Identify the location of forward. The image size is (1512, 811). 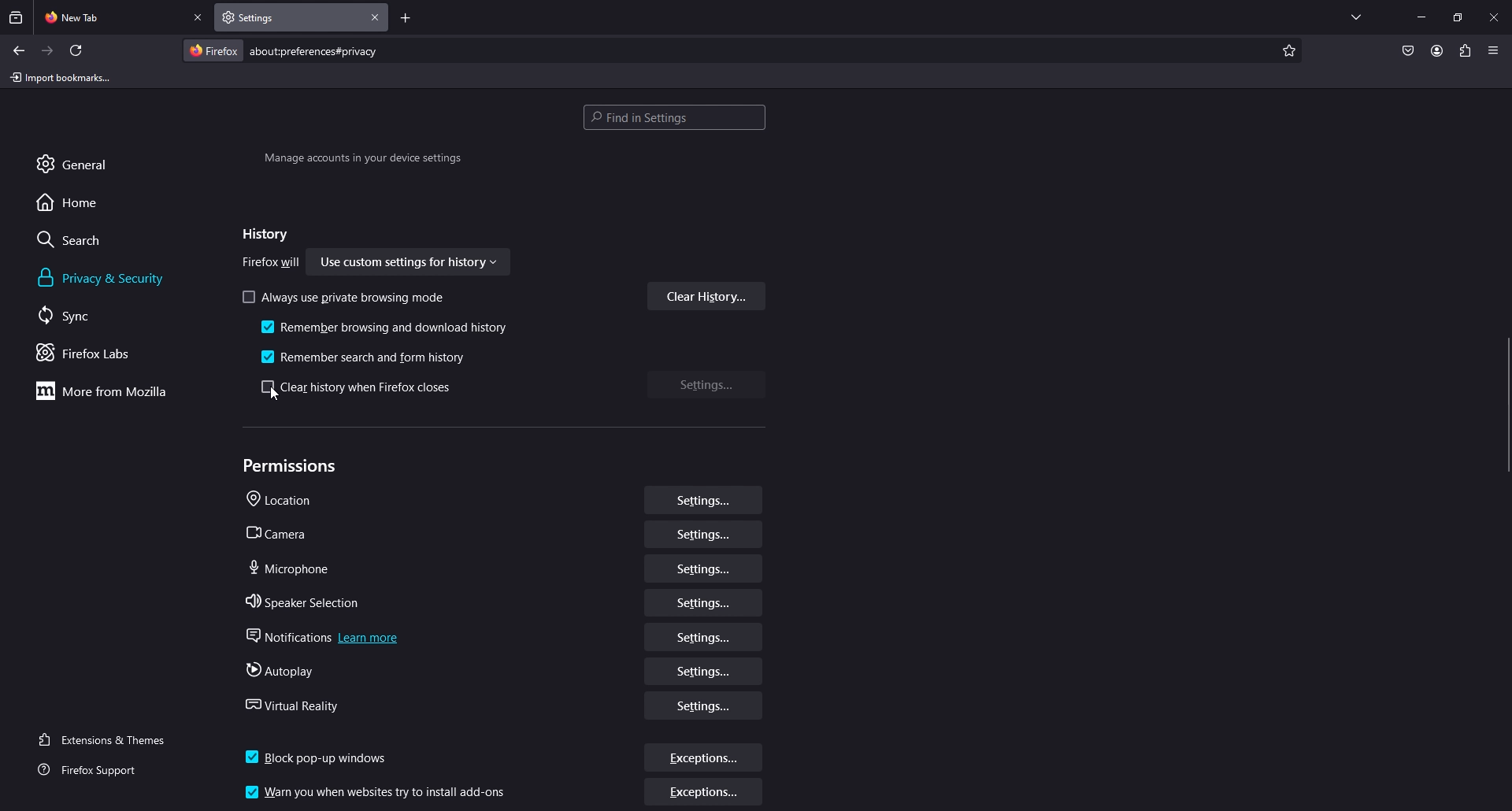
(48, 51).